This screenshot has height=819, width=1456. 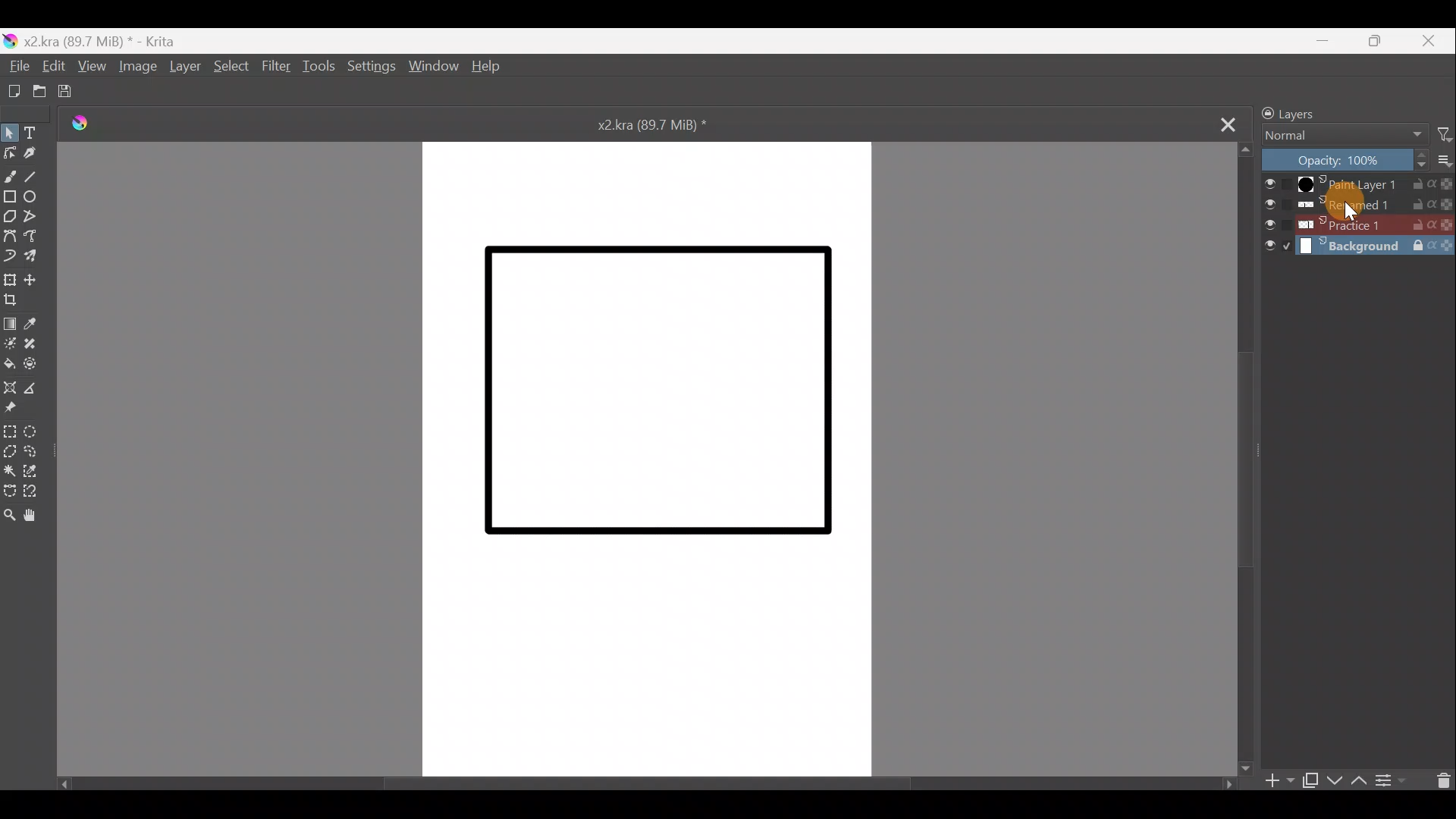 What do you see at coordinates (66, 92) in the screenshot?
I see `Save` at bounding box center [66, 92].